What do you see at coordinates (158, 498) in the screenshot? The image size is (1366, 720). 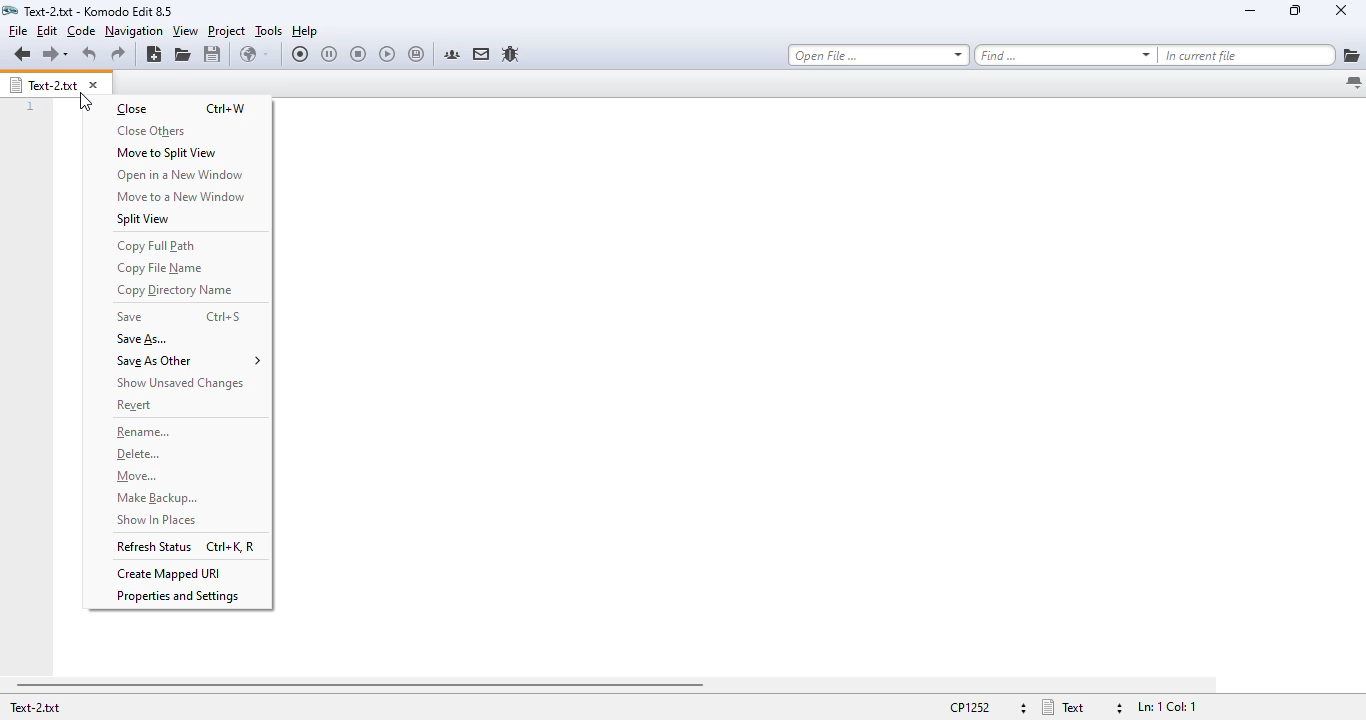 I see `make backup` at bounding box center [158, 498].